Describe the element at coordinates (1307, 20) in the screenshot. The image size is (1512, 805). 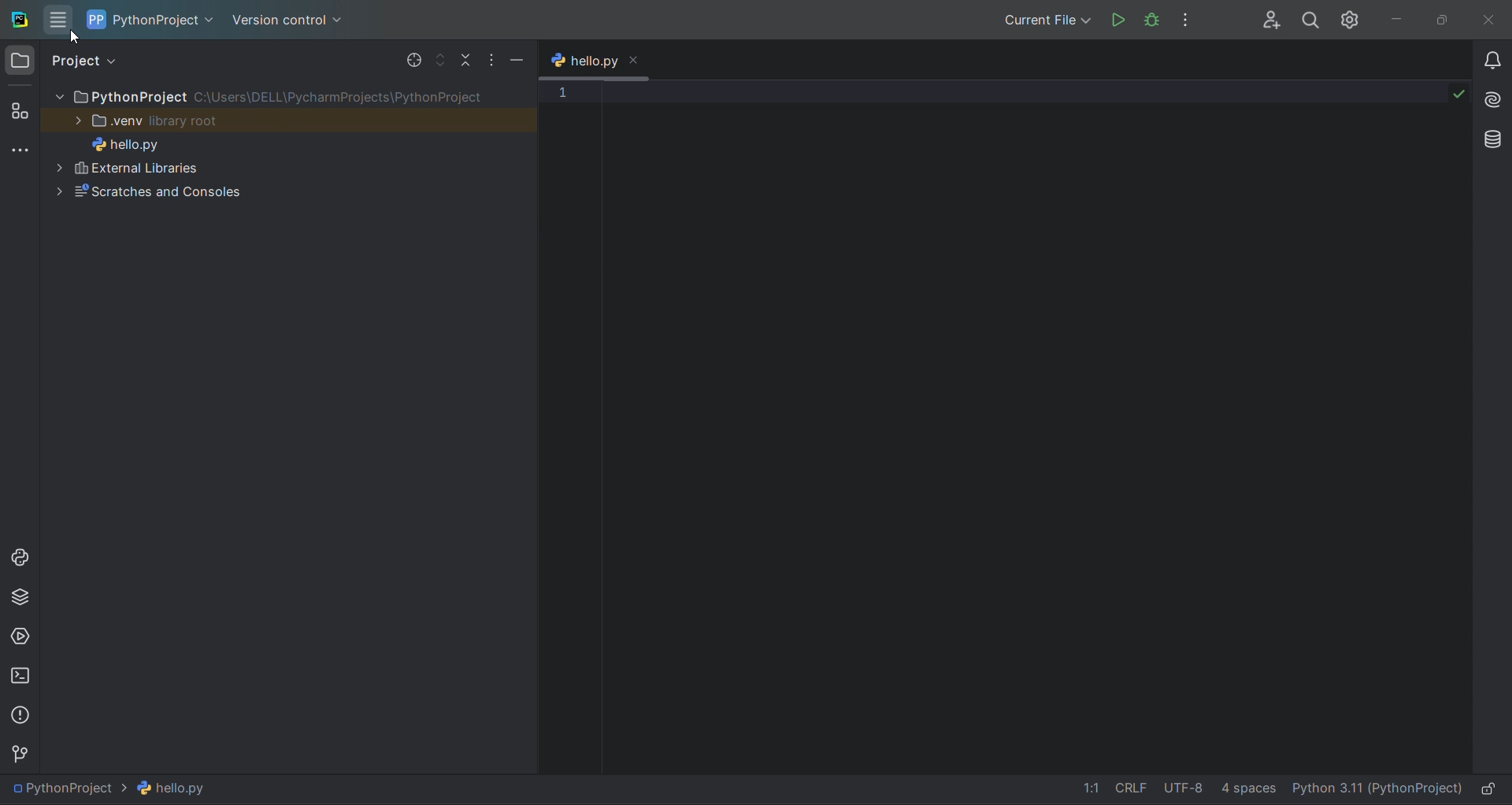
I see `search` at that location.